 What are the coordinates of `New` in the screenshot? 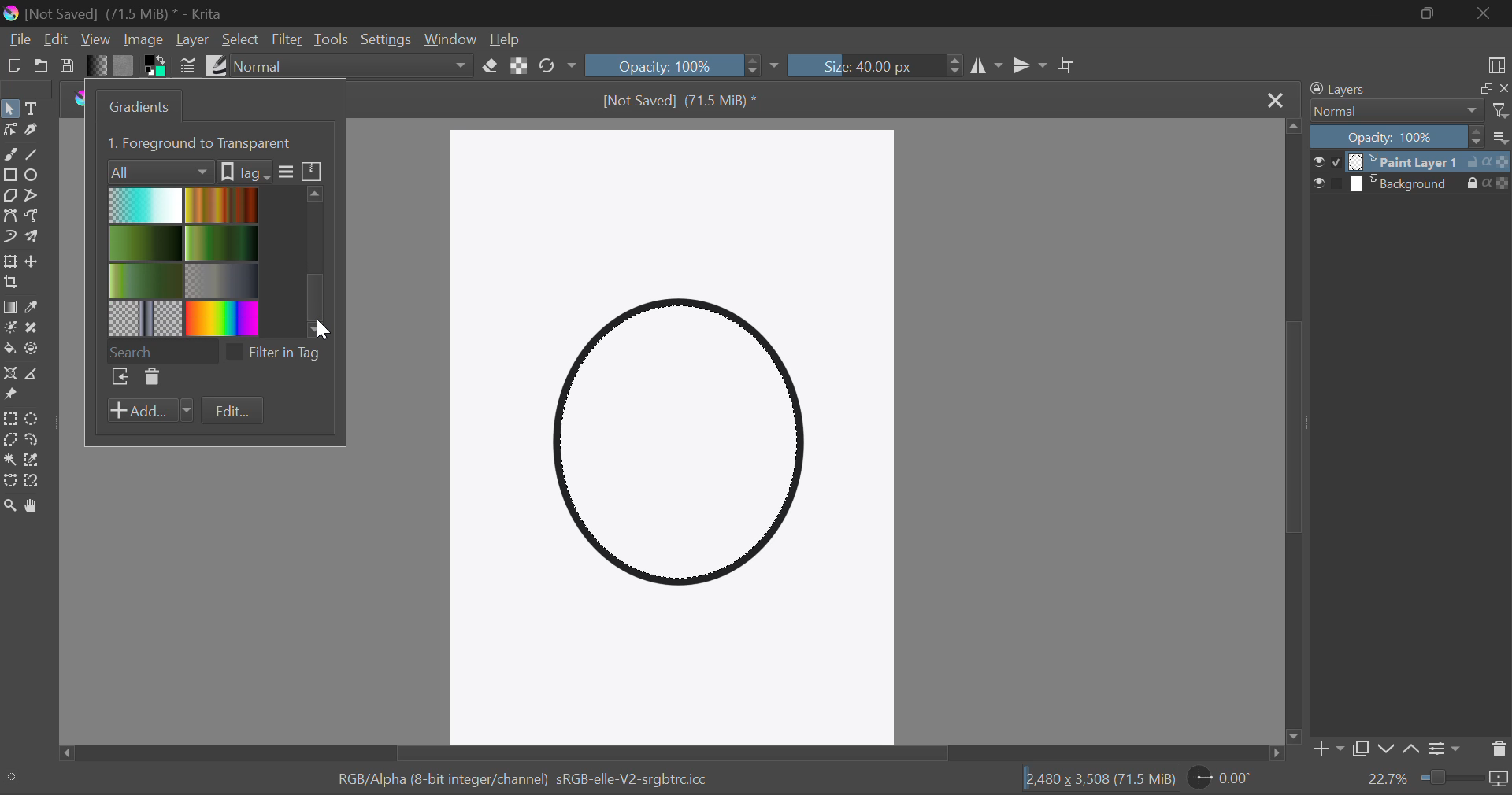 It's located at (13, 66).